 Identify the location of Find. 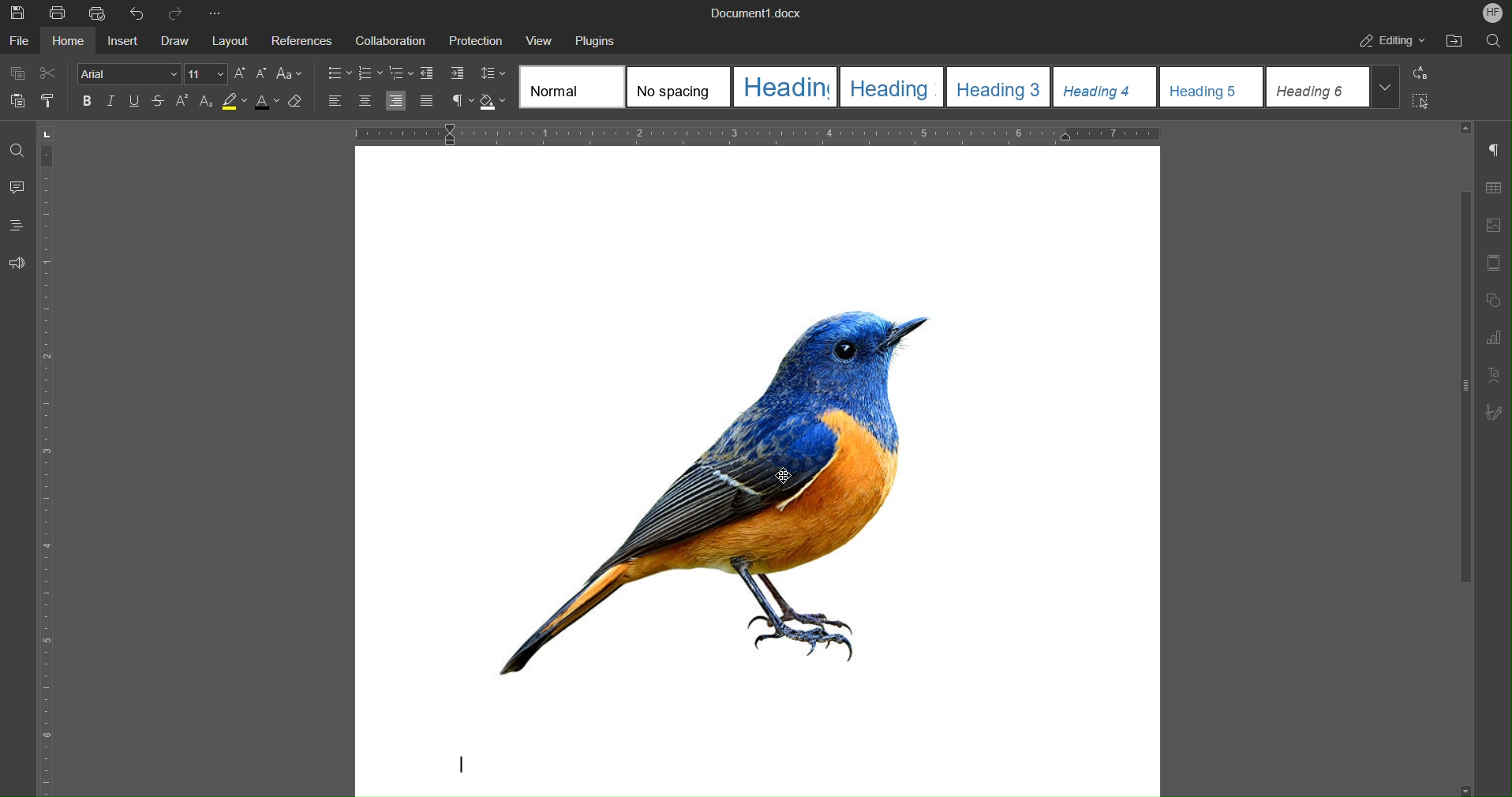
(1491, 41).